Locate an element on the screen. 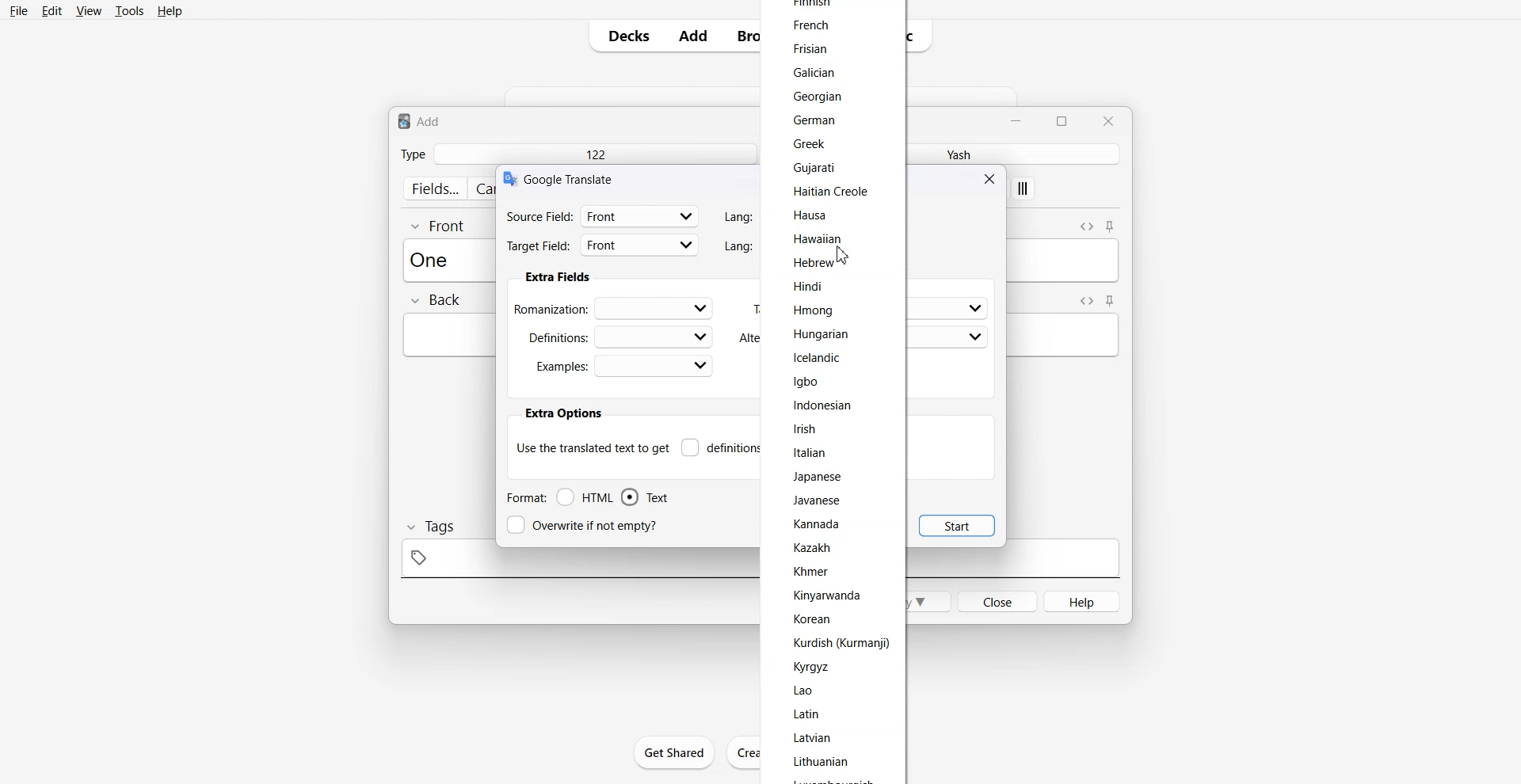  Examples is located at coordinates (623, 366).